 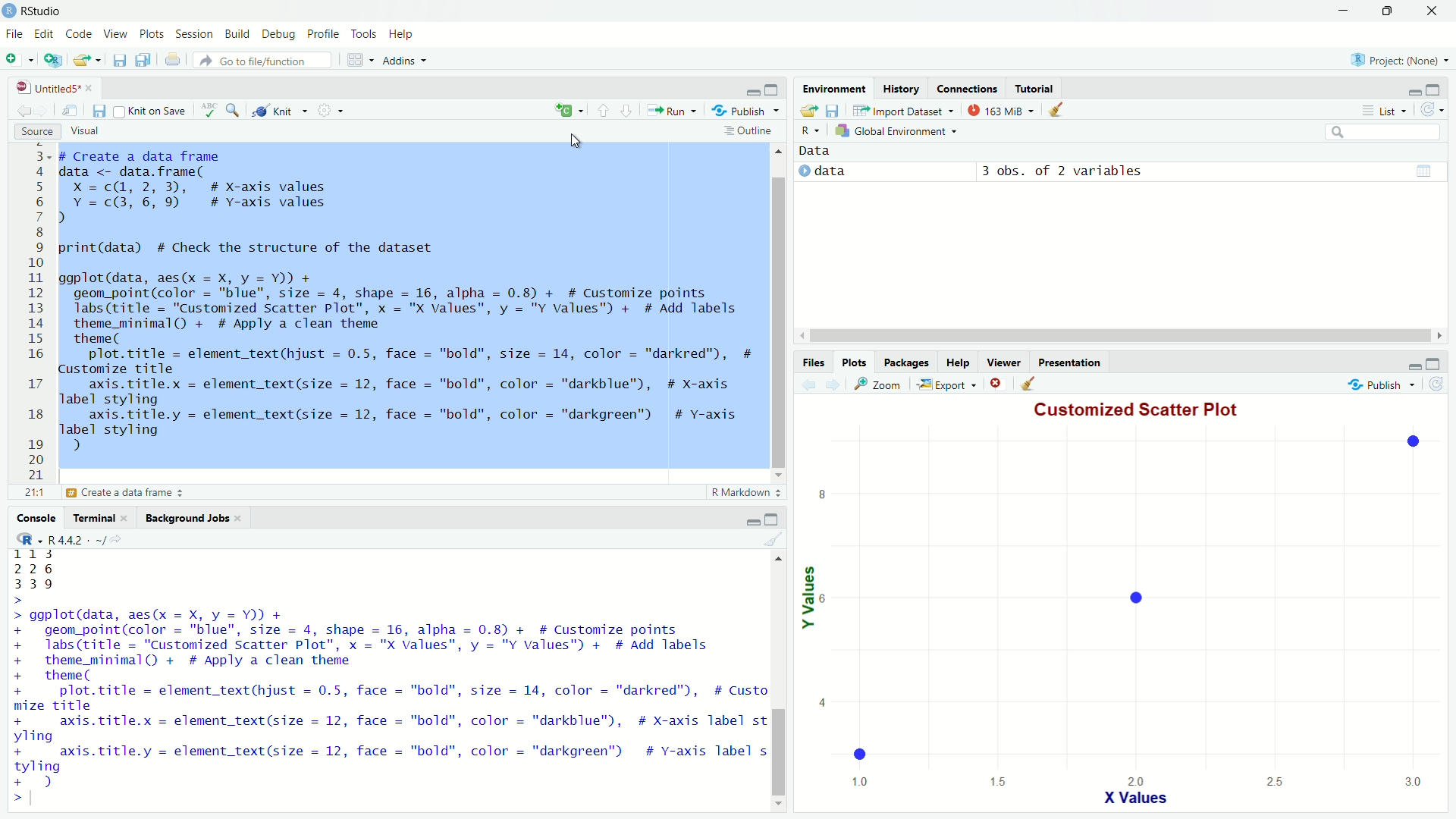 I want to click on Liist, so click(x=1387, y=111).